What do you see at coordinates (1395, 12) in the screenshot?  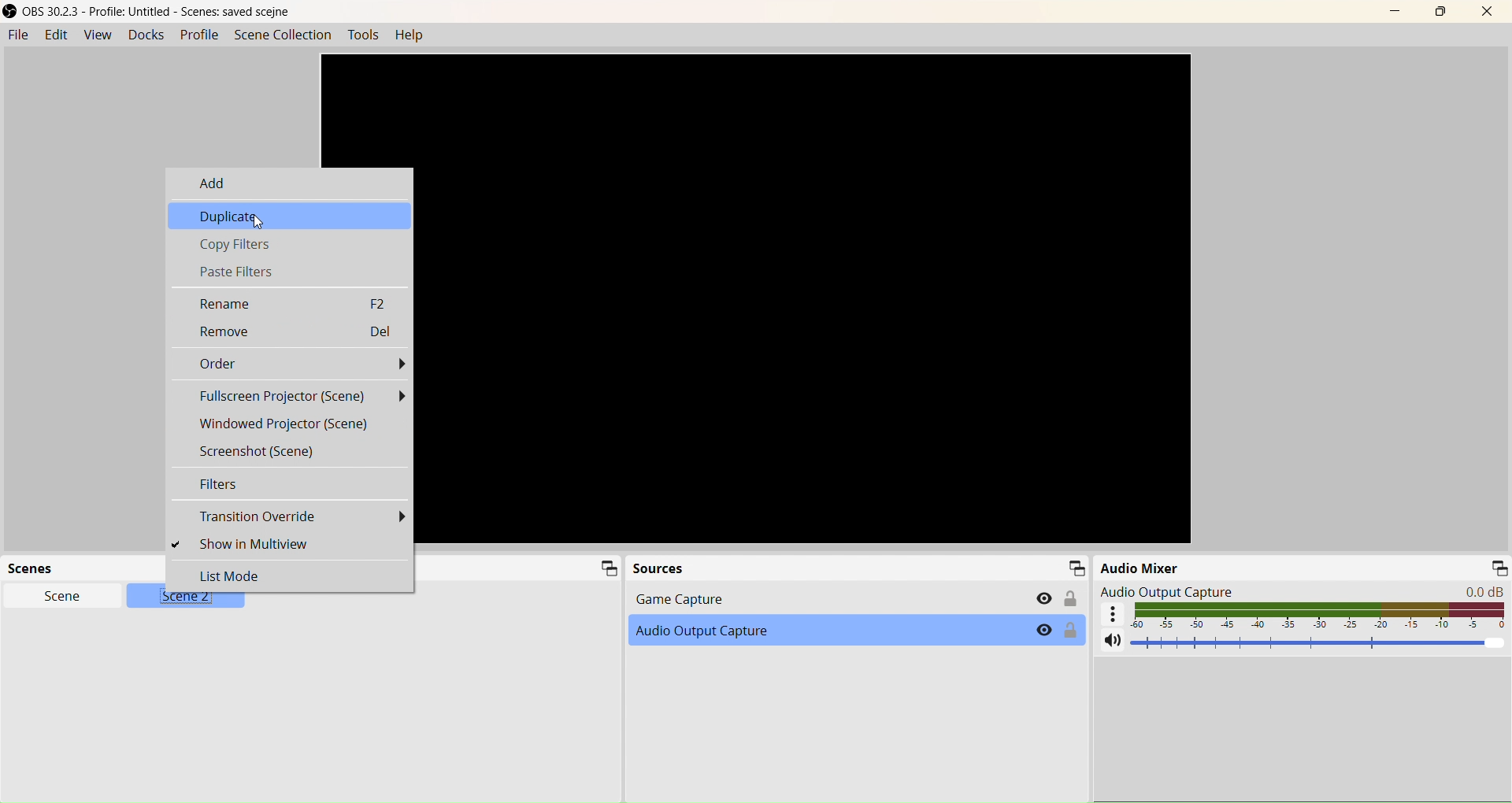 I see `Minimize` at bounding box center [1395, 12].